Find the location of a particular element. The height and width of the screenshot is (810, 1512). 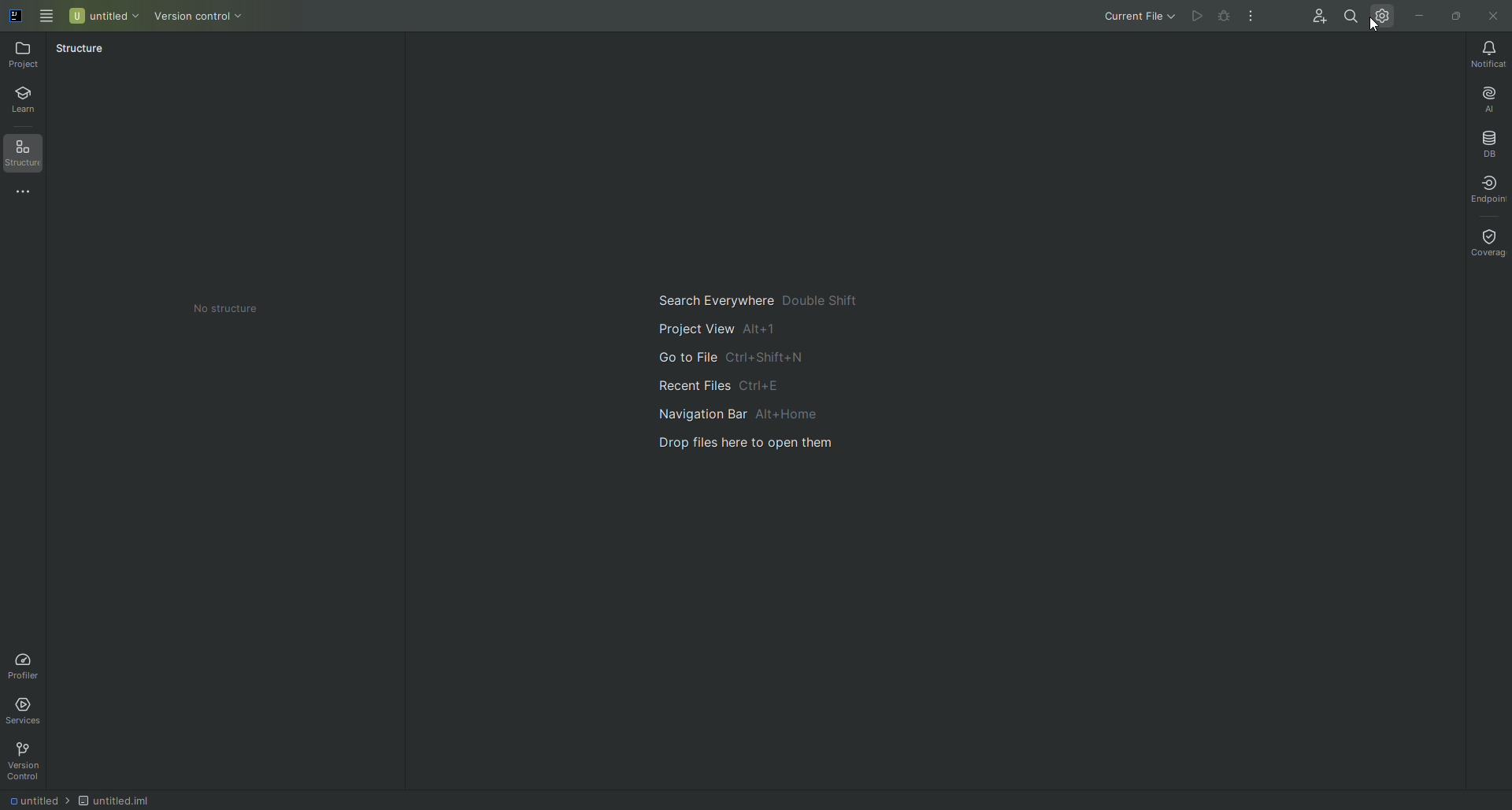

cursor is located at coordinates (1377, 25).